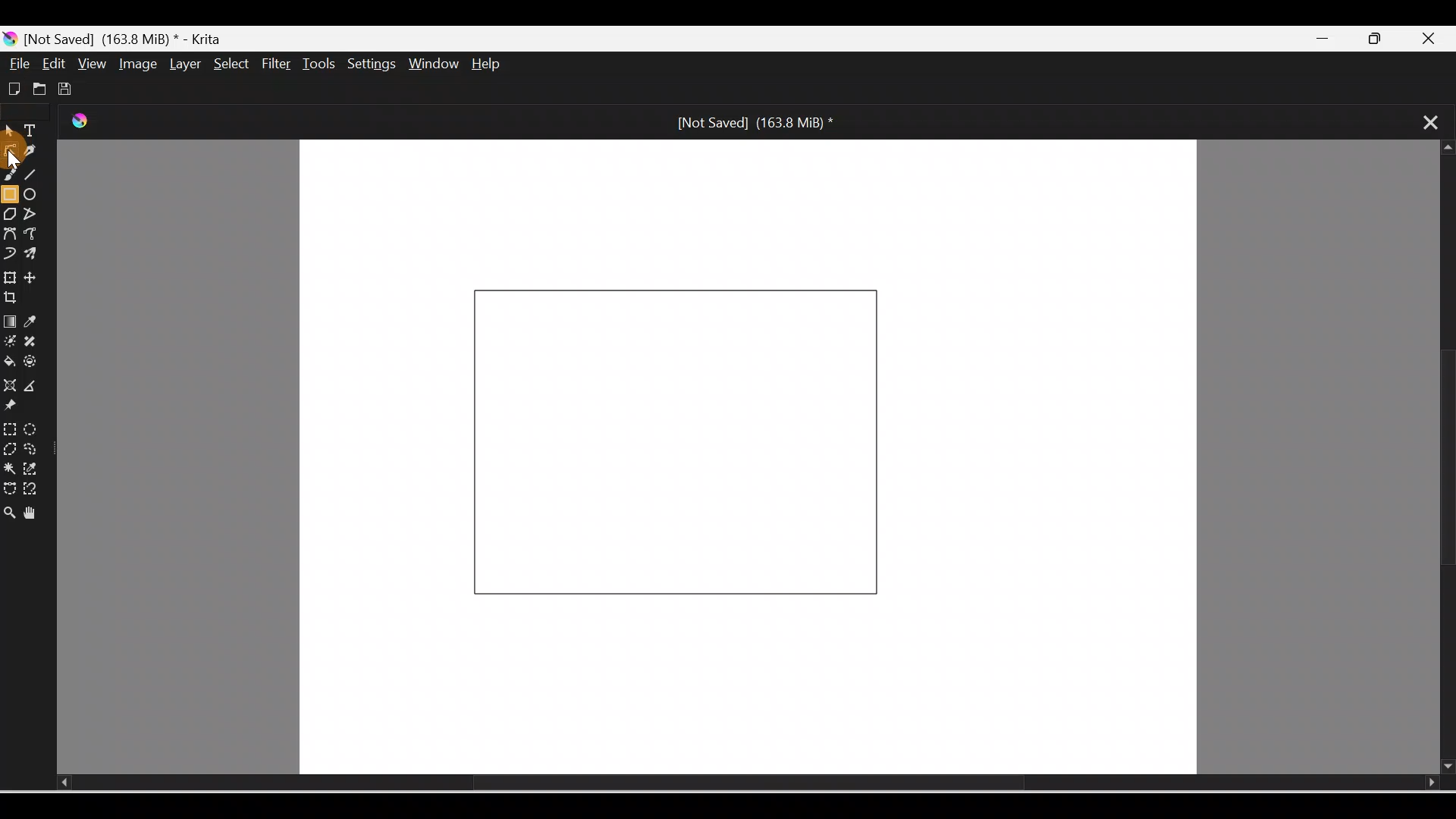 The height and width of the screenshot is (819, 1456). Describe the element at coordinates (277, 64) in the screenshot. I see `Filter` at that location.